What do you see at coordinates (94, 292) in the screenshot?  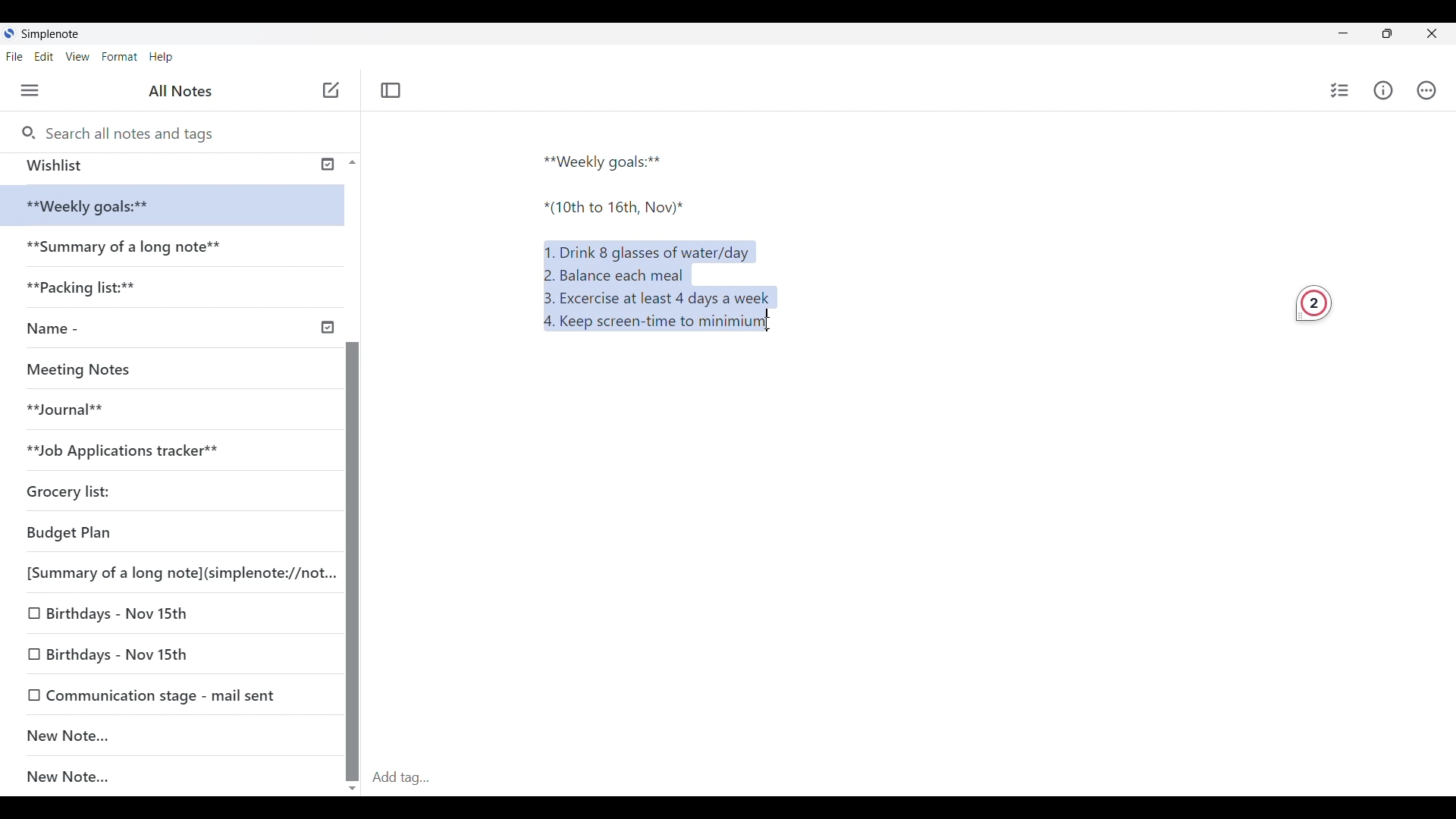 I see `**Packaging list:**` at bounding box center [94, 292].